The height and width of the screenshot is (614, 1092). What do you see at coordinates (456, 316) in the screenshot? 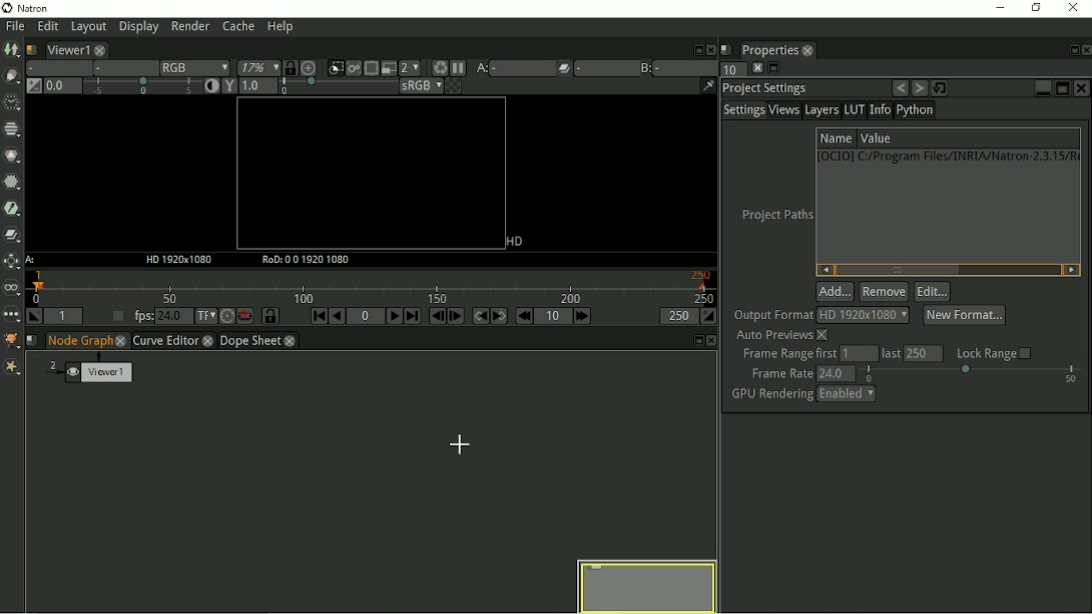
I see `Next frame` at bounding box center [456, 316].